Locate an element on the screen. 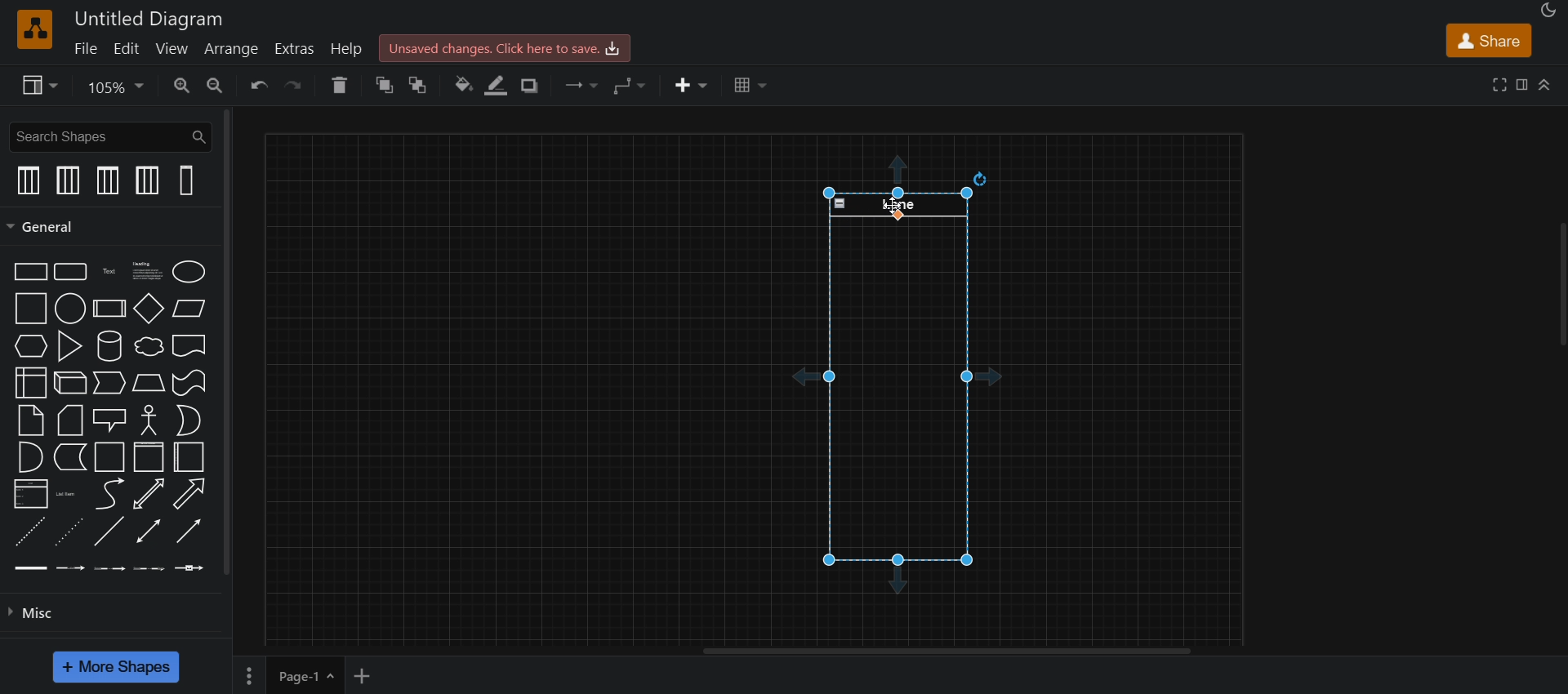 The width and height of the screenshot is (1568, 694). redo is located at coordinates (296, 87).